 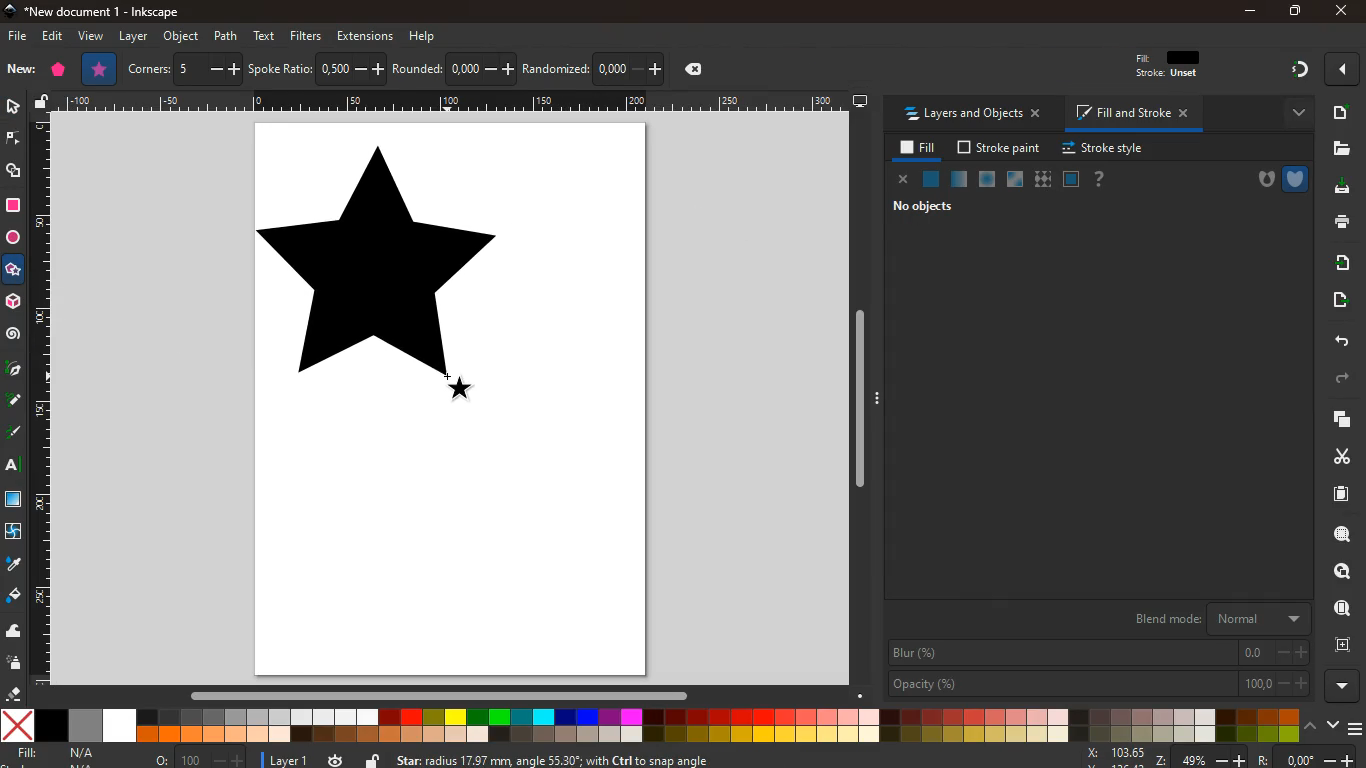 I want to click on help, so click(x=424, y=38).